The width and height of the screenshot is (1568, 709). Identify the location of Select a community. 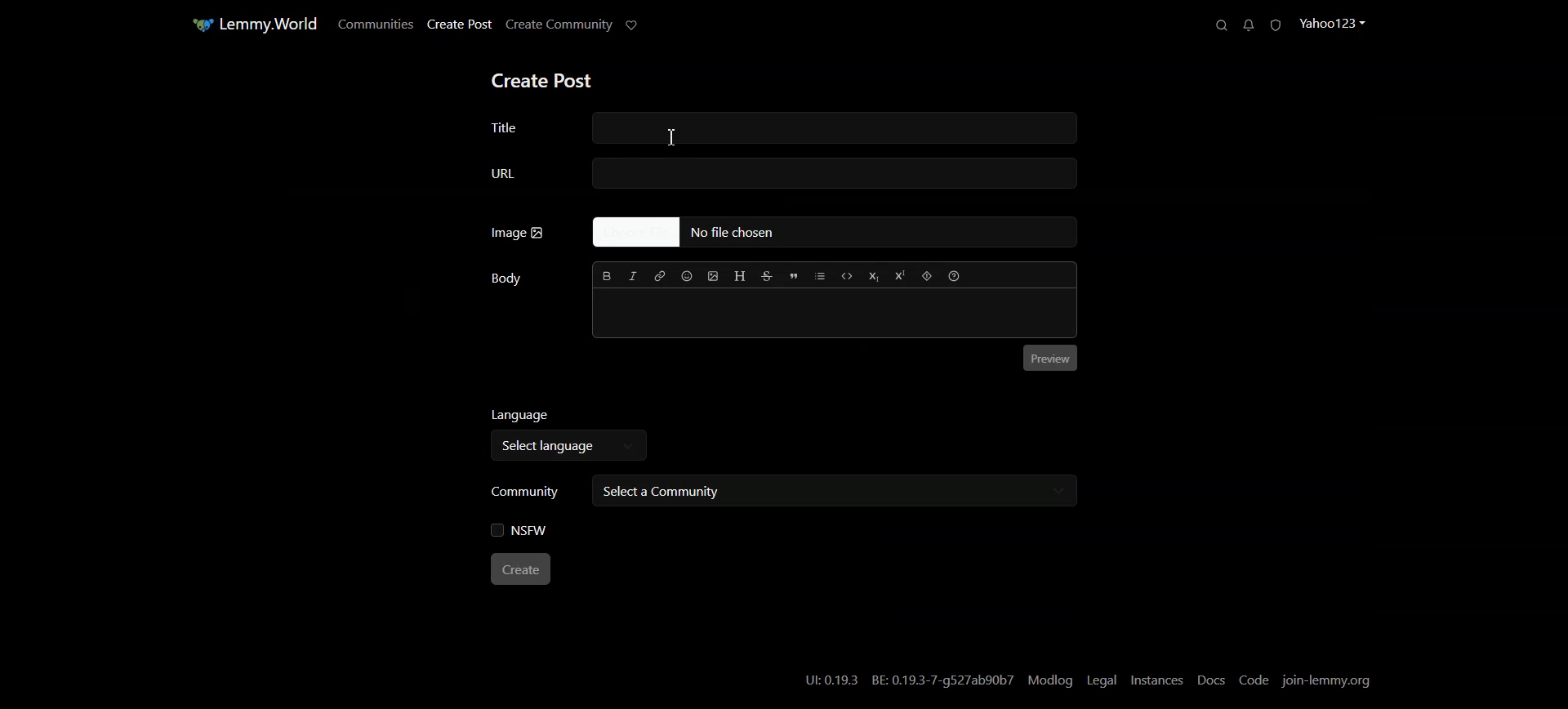
(831, 491).